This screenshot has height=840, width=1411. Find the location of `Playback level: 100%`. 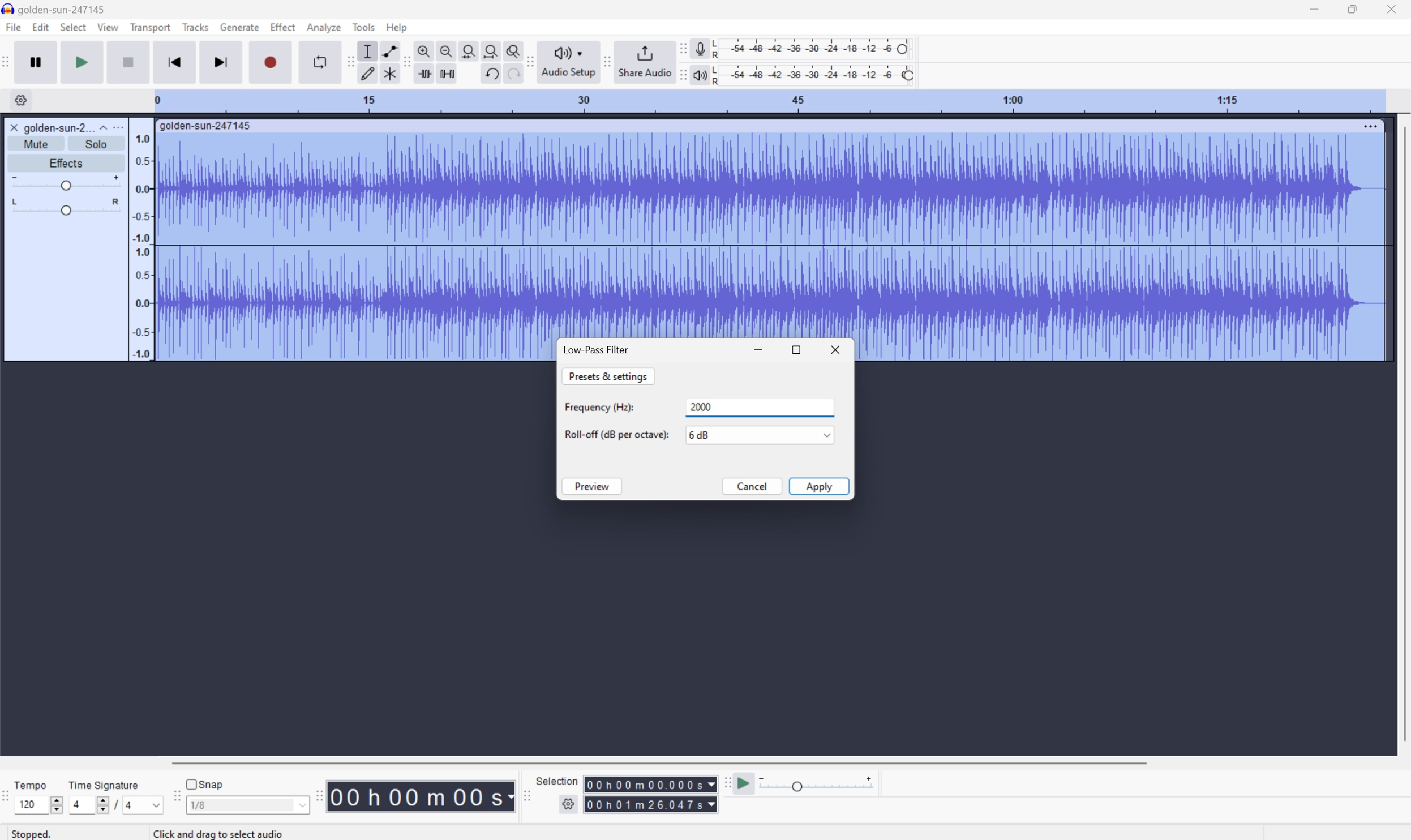

Playback level: 100% is located at coordinates (812, 74).